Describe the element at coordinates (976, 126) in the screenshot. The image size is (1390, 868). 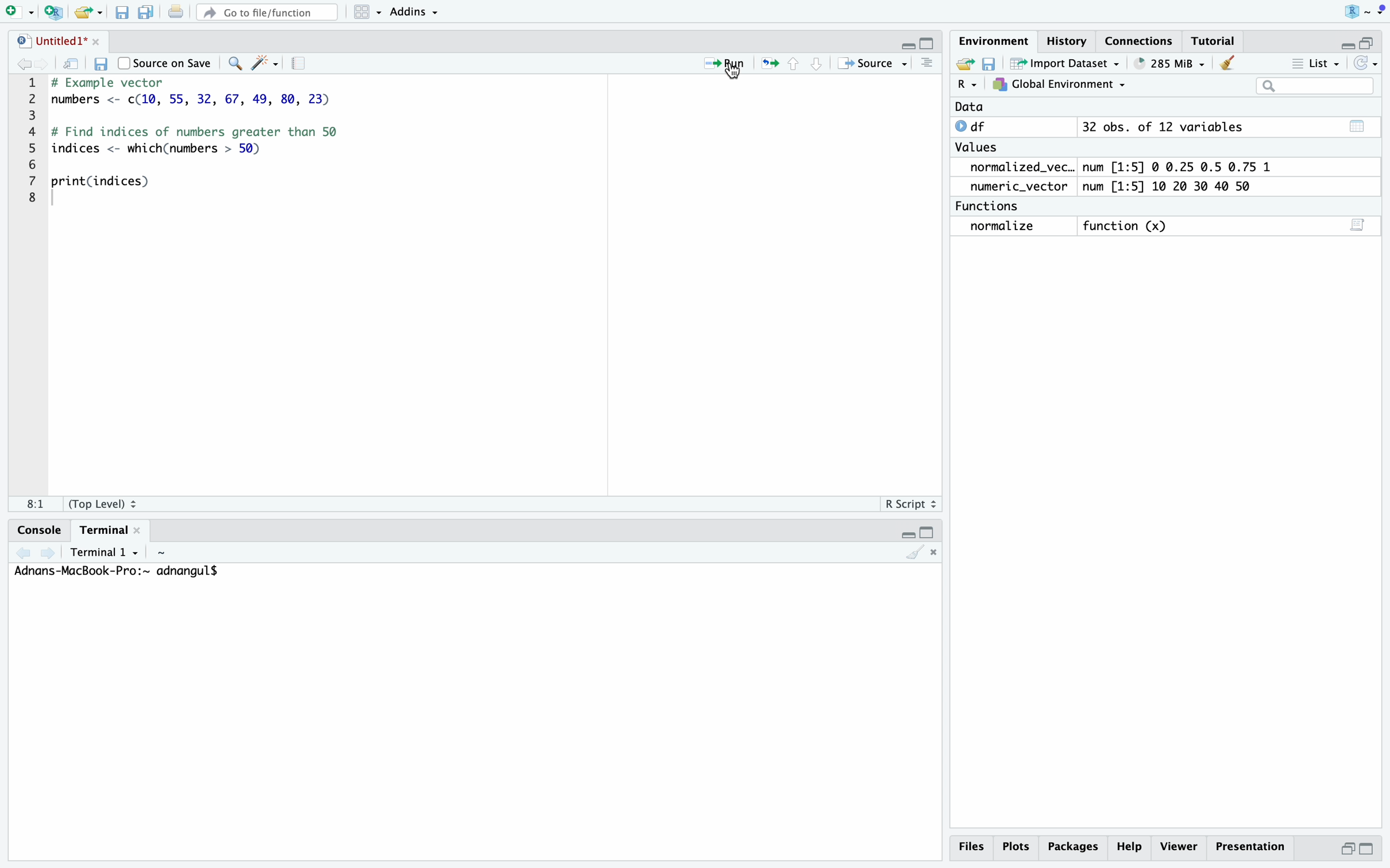
I see `0 df` at that location.